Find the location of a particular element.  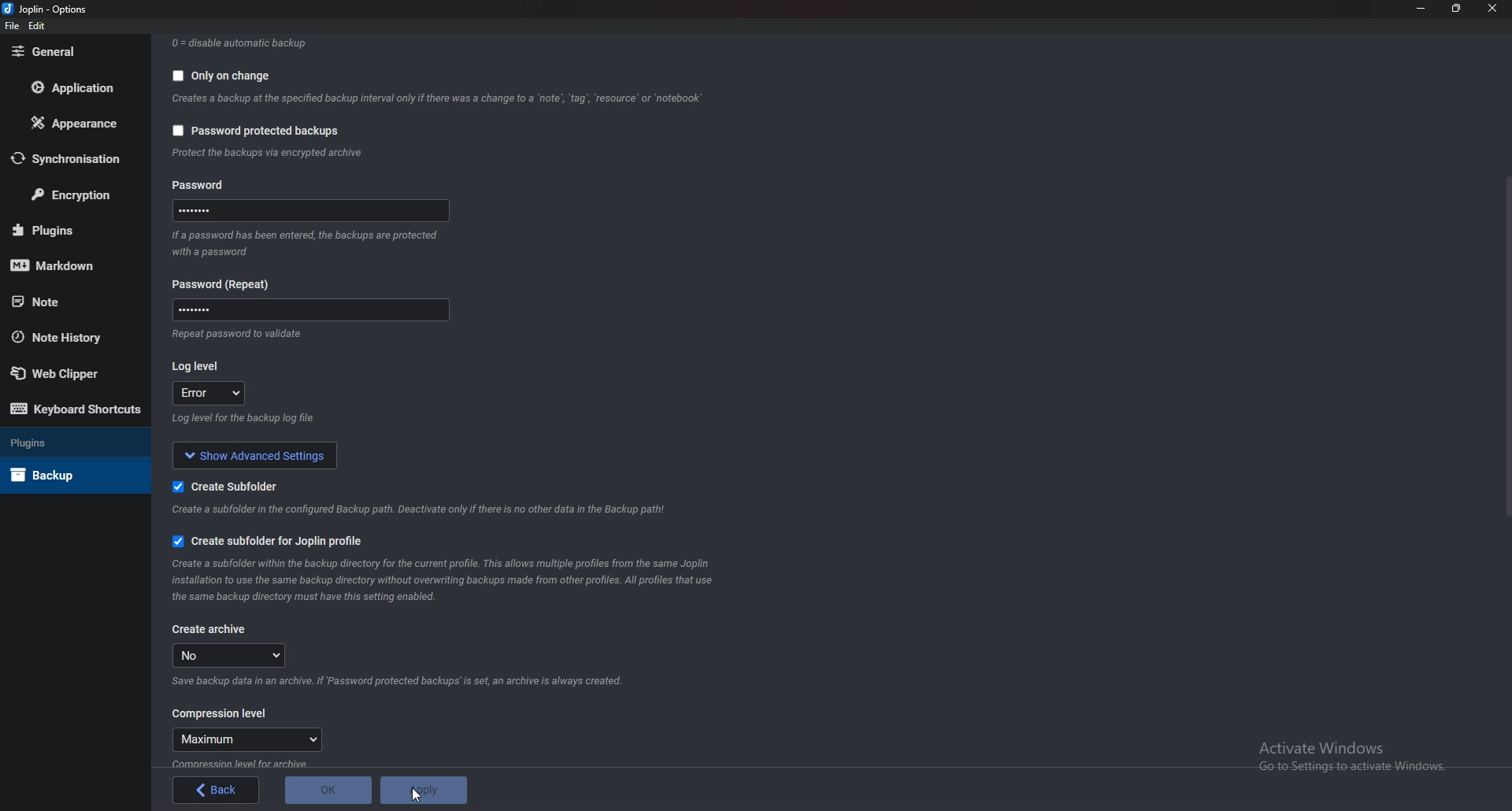

O K is located at coordinates (328, 791).